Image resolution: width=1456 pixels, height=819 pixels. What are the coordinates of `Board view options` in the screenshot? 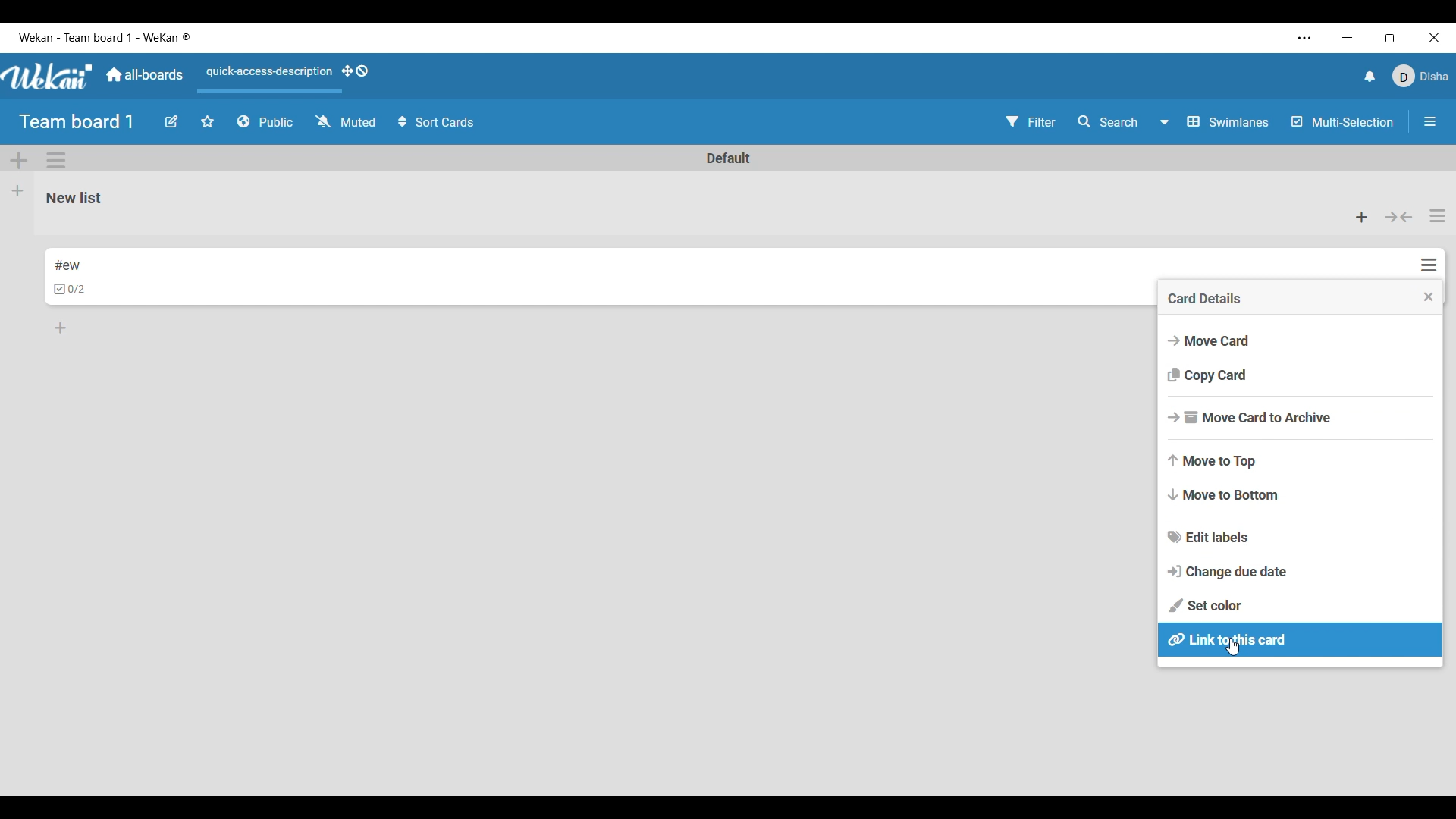 It's located at (1214, 121).